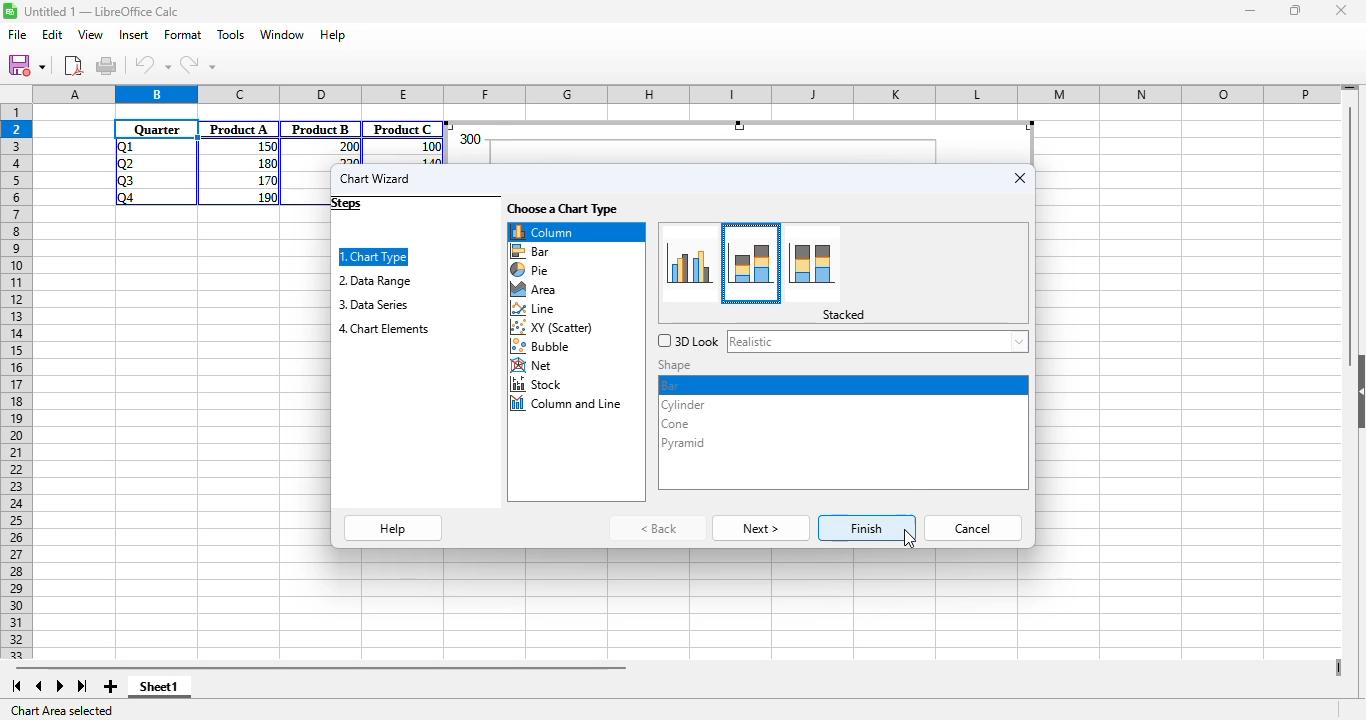 The width and height of the screenshot is (1366, 720). Describe the element at coordinates (133, 34) in the screenshot. I see `insert` at that location.